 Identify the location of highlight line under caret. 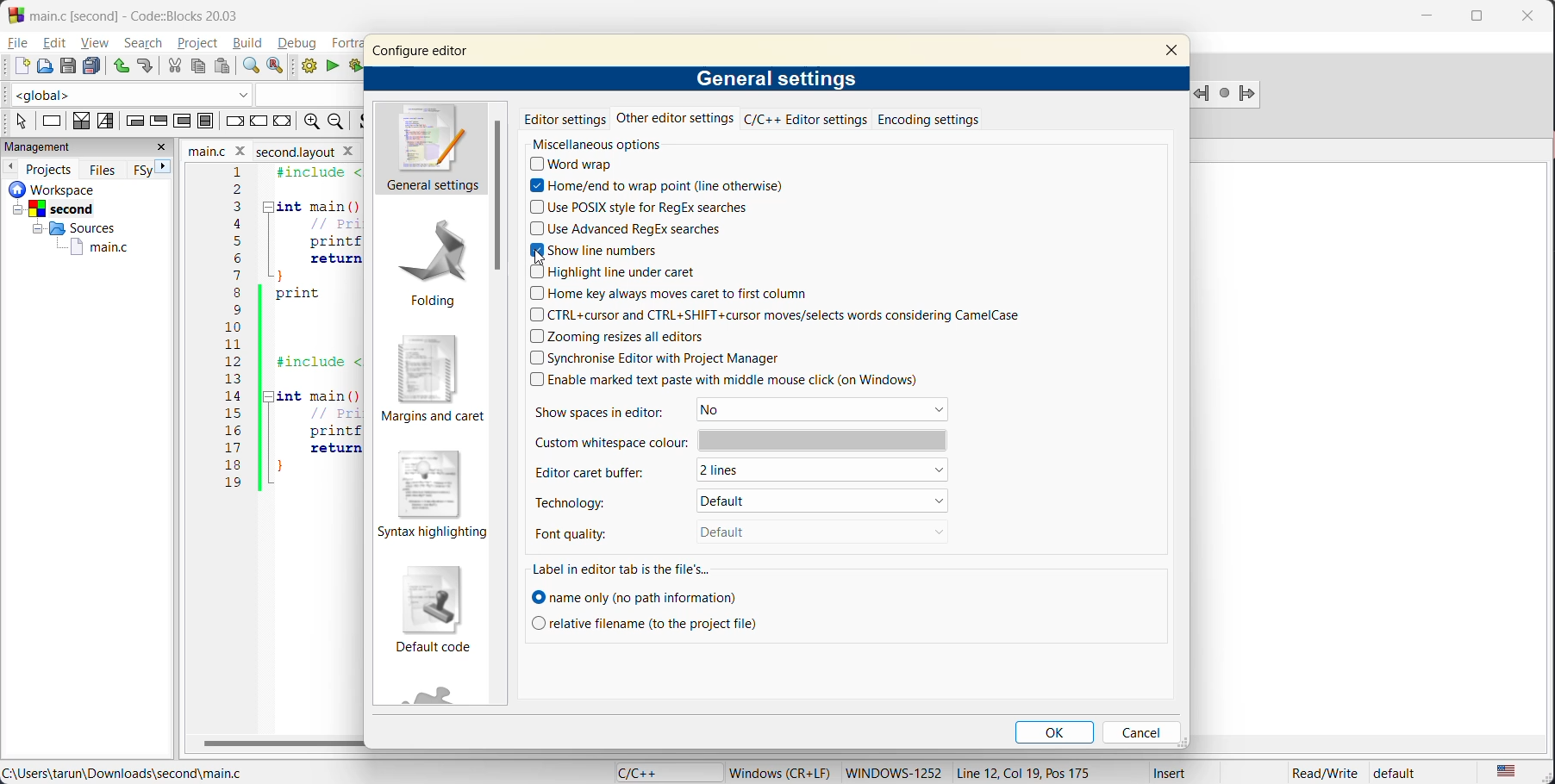
(615, 272).